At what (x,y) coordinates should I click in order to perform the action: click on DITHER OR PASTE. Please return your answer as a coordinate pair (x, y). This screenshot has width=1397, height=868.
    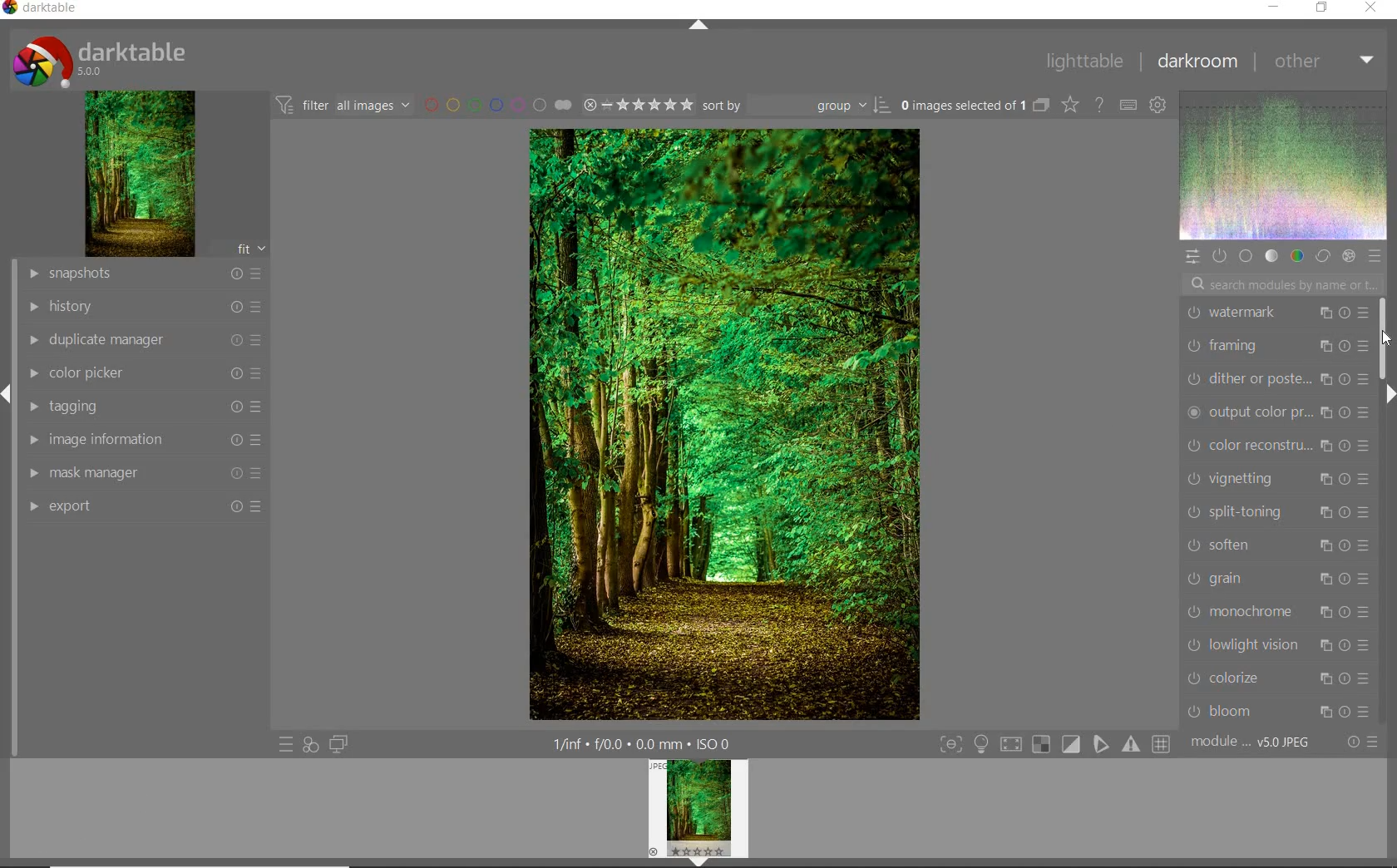
    Looking at the image, I should click on (1274, 377).